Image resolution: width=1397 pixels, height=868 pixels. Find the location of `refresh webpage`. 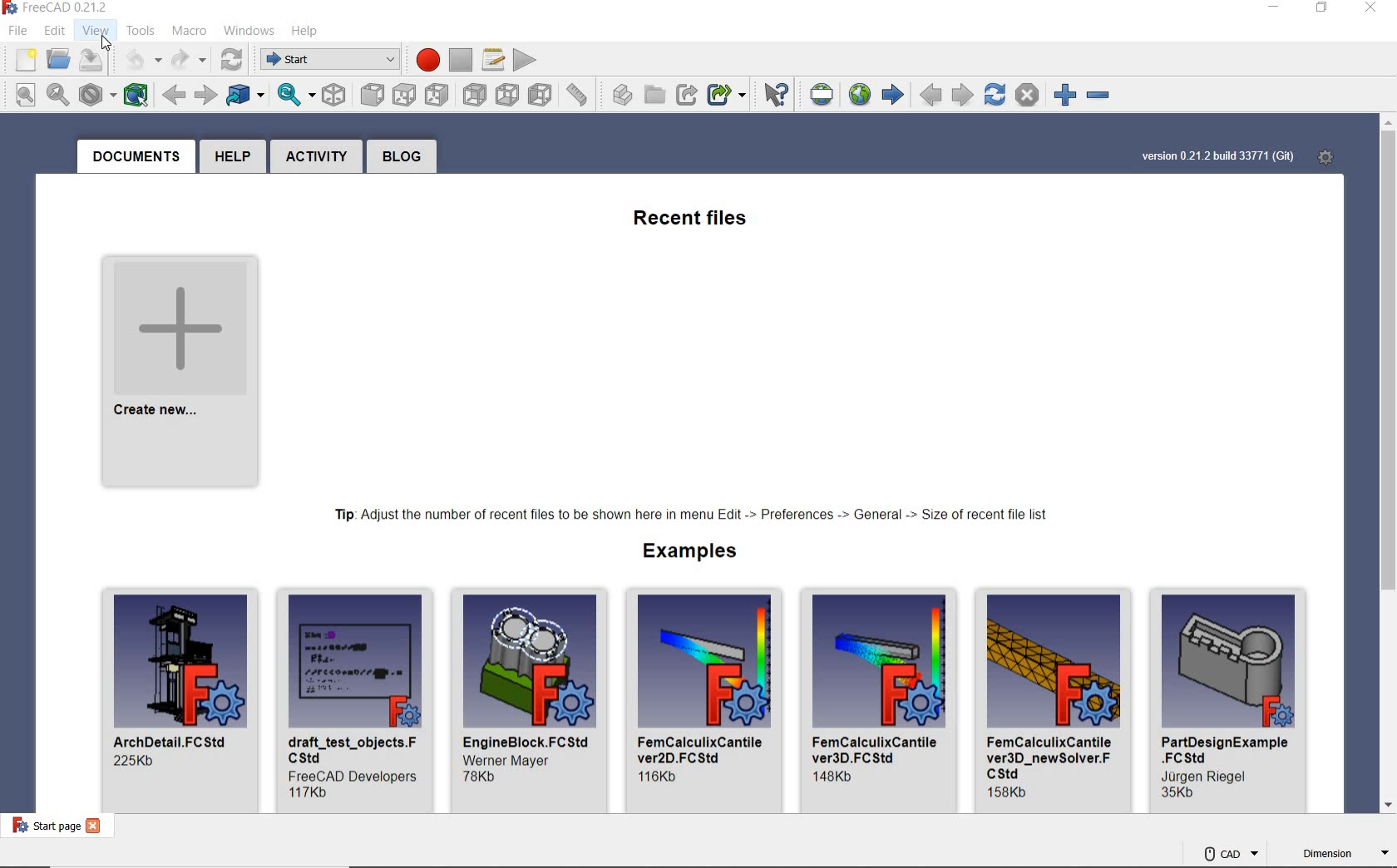

refresh webpage is located at coordinates (994, 94).